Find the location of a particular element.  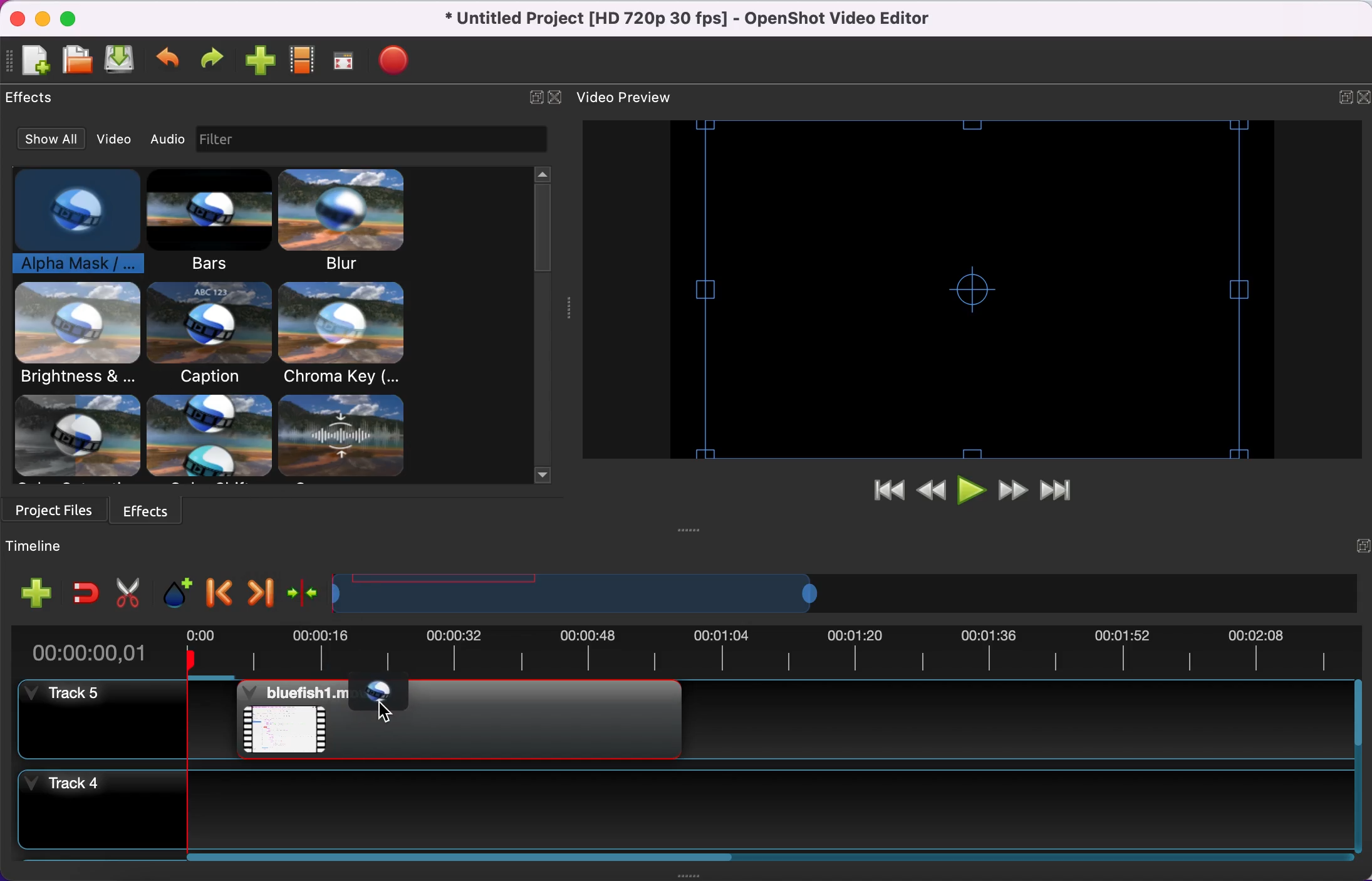

full screen is located at coordinates (345, 63).